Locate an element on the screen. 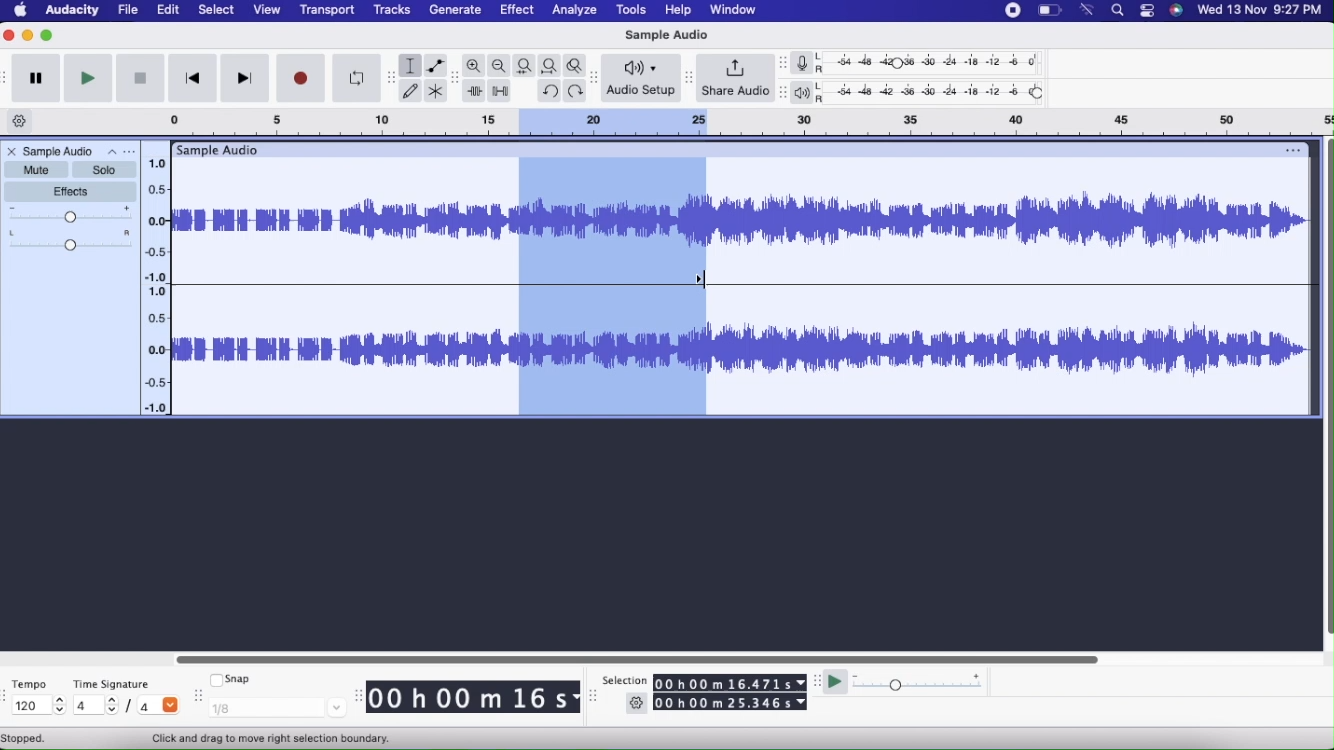 The height and width of the screenshot is (750, 1334). Mute is located at coordinates (35, 169).